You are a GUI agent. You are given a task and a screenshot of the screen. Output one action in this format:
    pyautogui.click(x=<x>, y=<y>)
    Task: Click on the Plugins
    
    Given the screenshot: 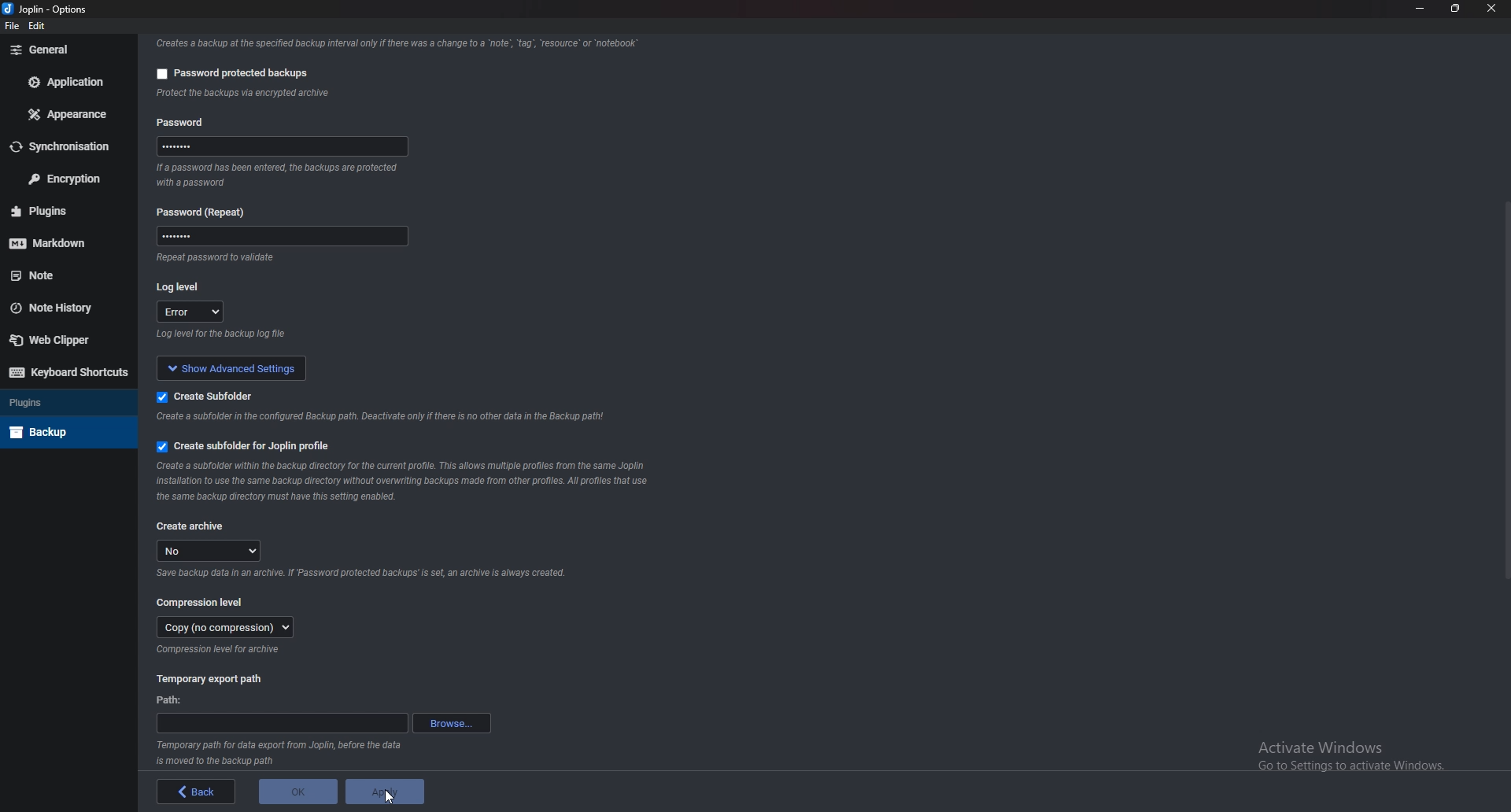 What is the action you would take?
    pyautogui.click(x=65, y=403)
    